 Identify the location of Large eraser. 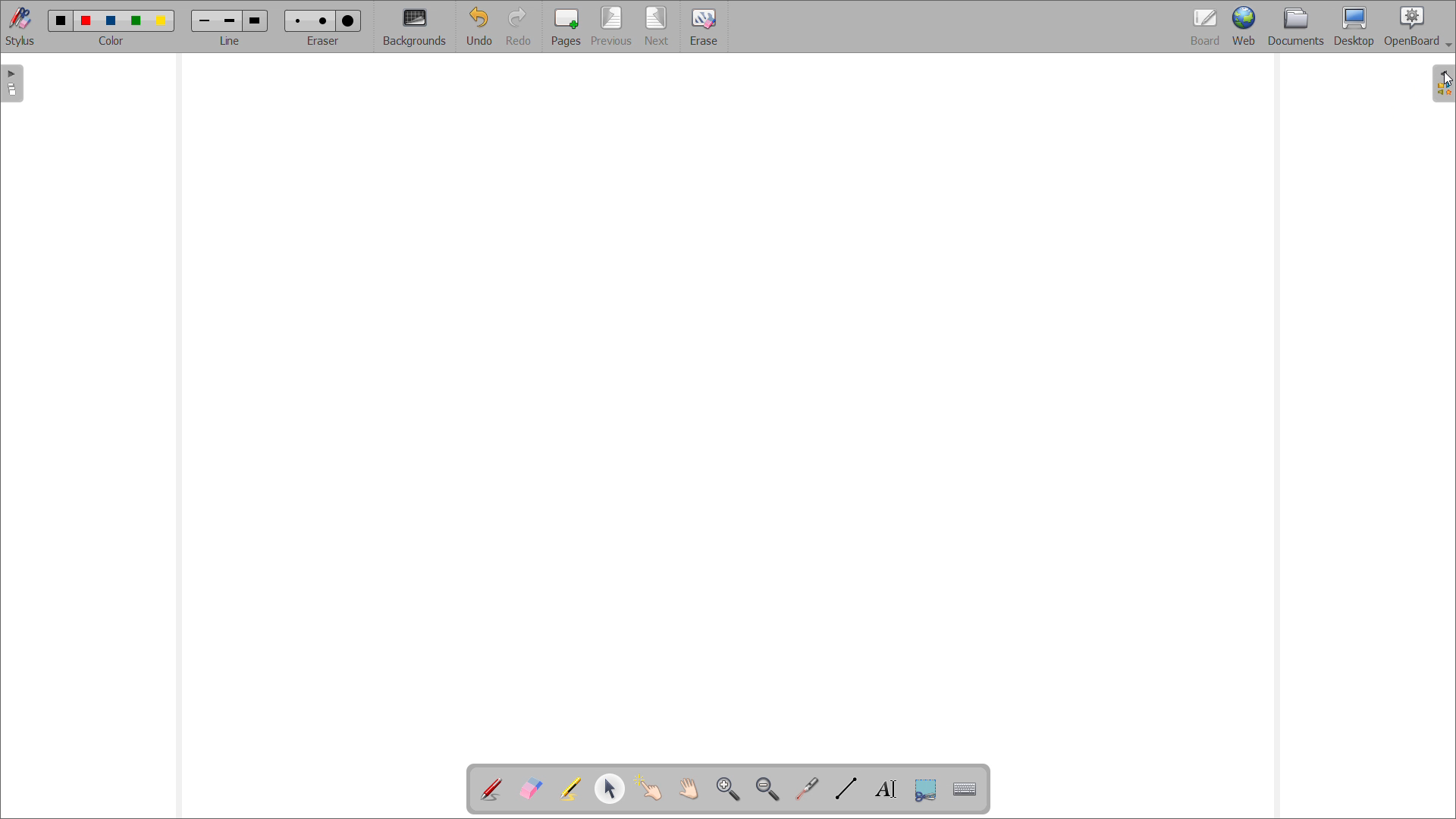
(351, 18).